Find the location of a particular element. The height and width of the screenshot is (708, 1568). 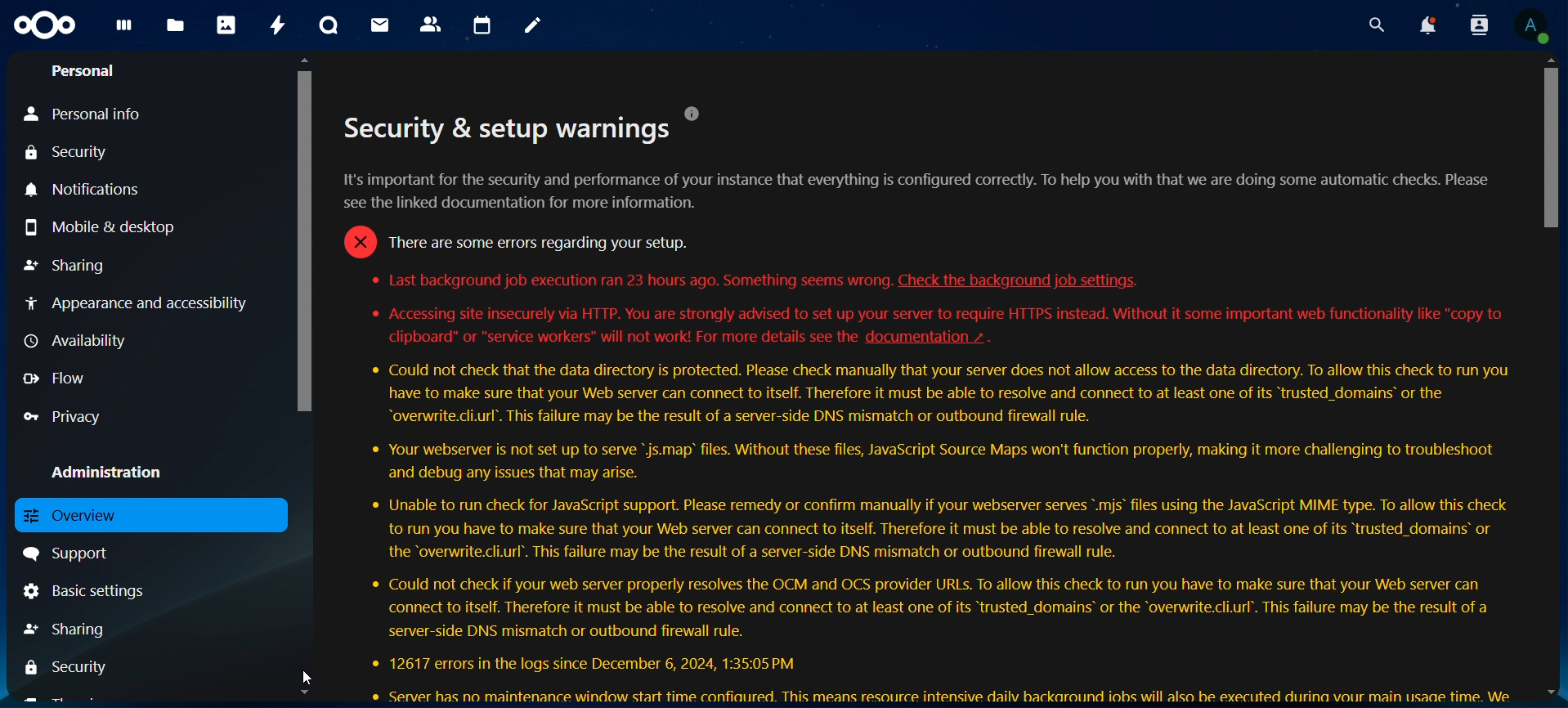

photos is located at coordinates (226, 27).